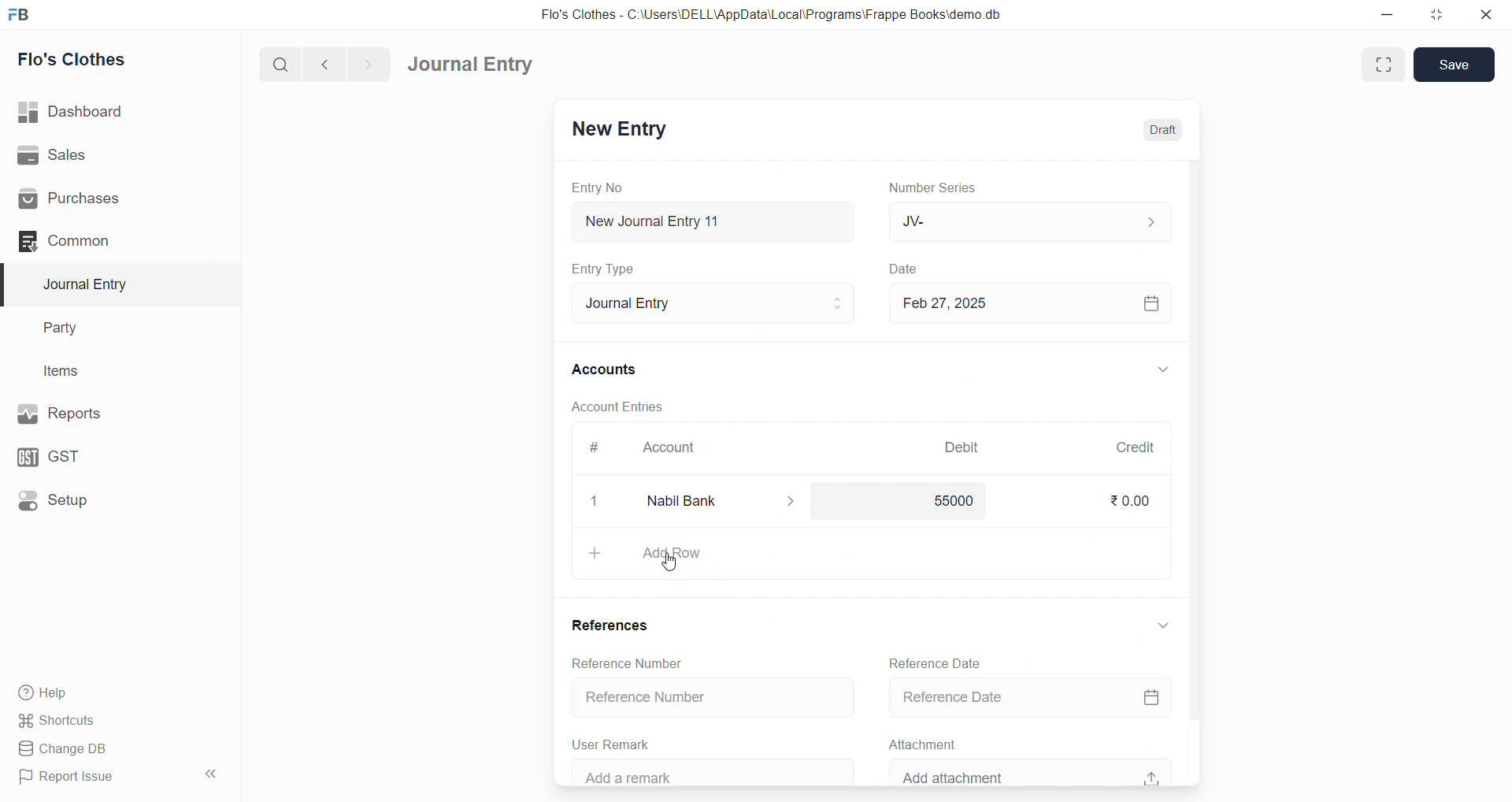 The image size is (1512, 802). I want to click on Accounts, so click(605, 370).